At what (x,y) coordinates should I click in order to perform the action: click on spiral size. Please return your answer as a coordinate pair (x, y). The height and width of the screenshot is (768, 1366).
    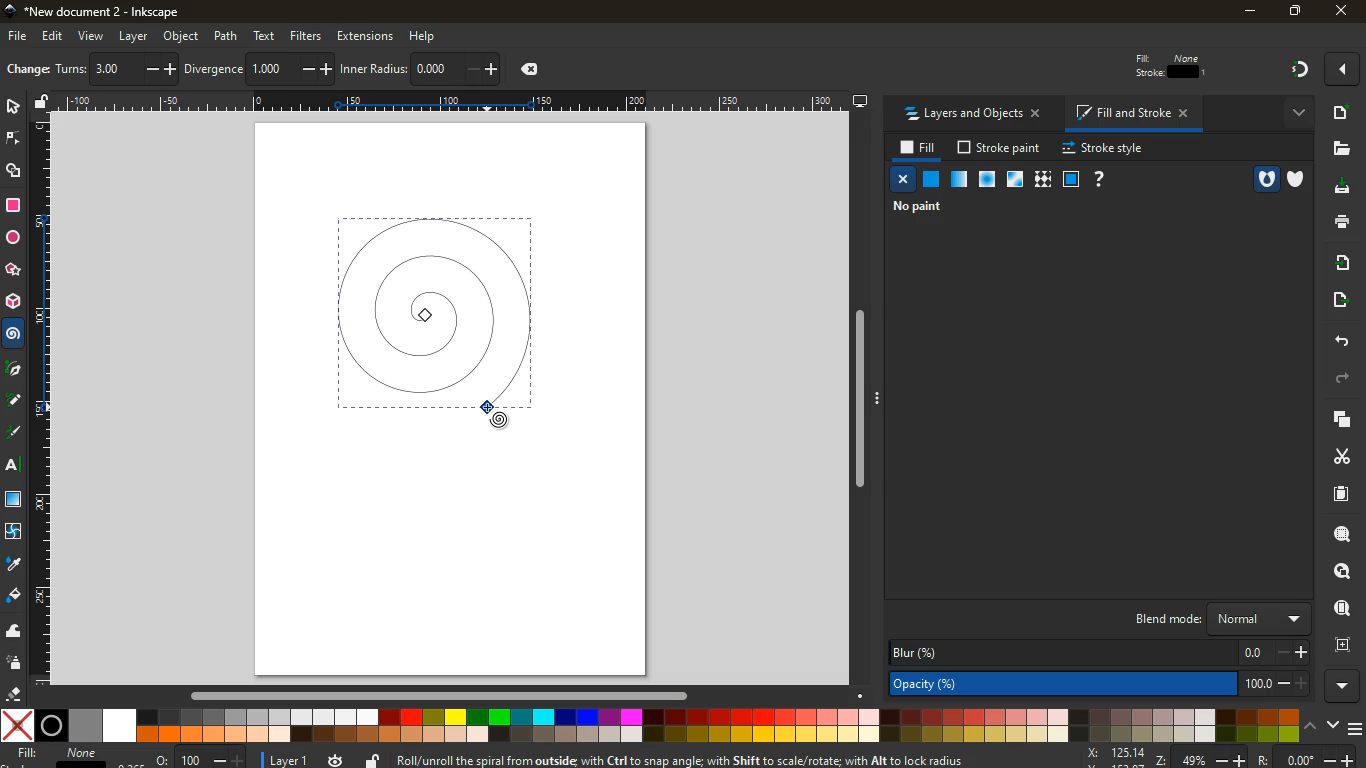
    Looking at the image, I should click on (41, 399).